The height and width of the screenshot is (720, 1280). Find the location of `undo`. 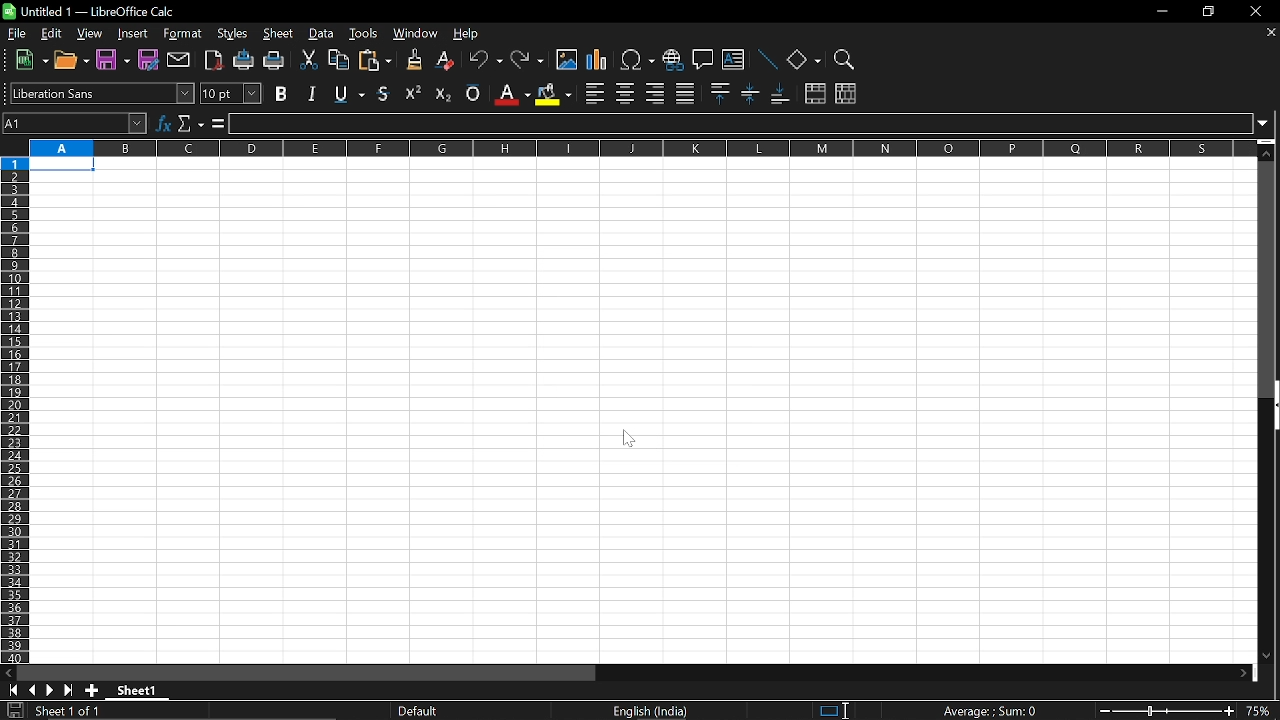

undo is located at coordinates (486, 62).